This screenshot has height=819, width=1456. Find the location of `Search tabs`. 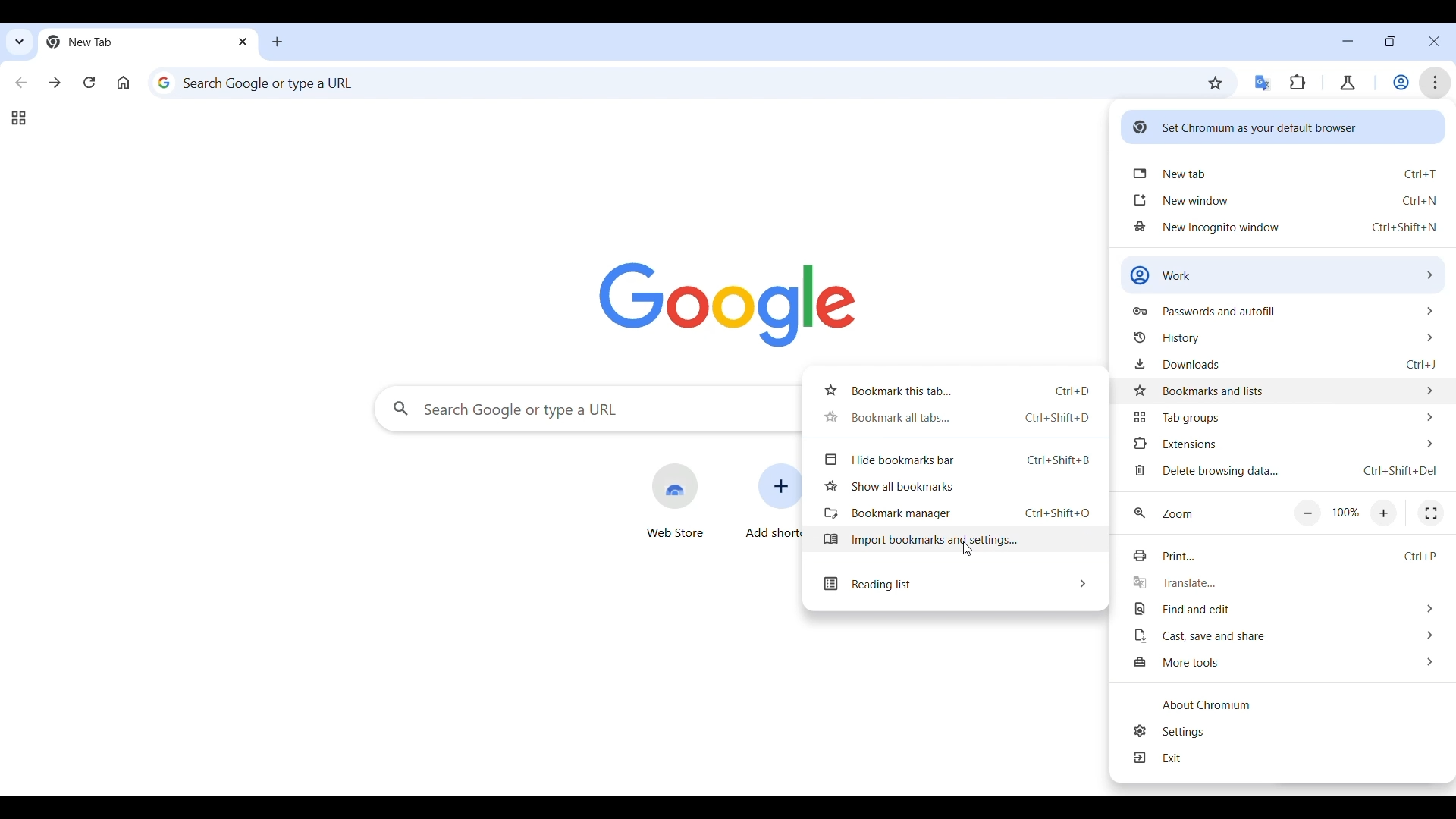

Search tabs is located at coordinates (20, 42).